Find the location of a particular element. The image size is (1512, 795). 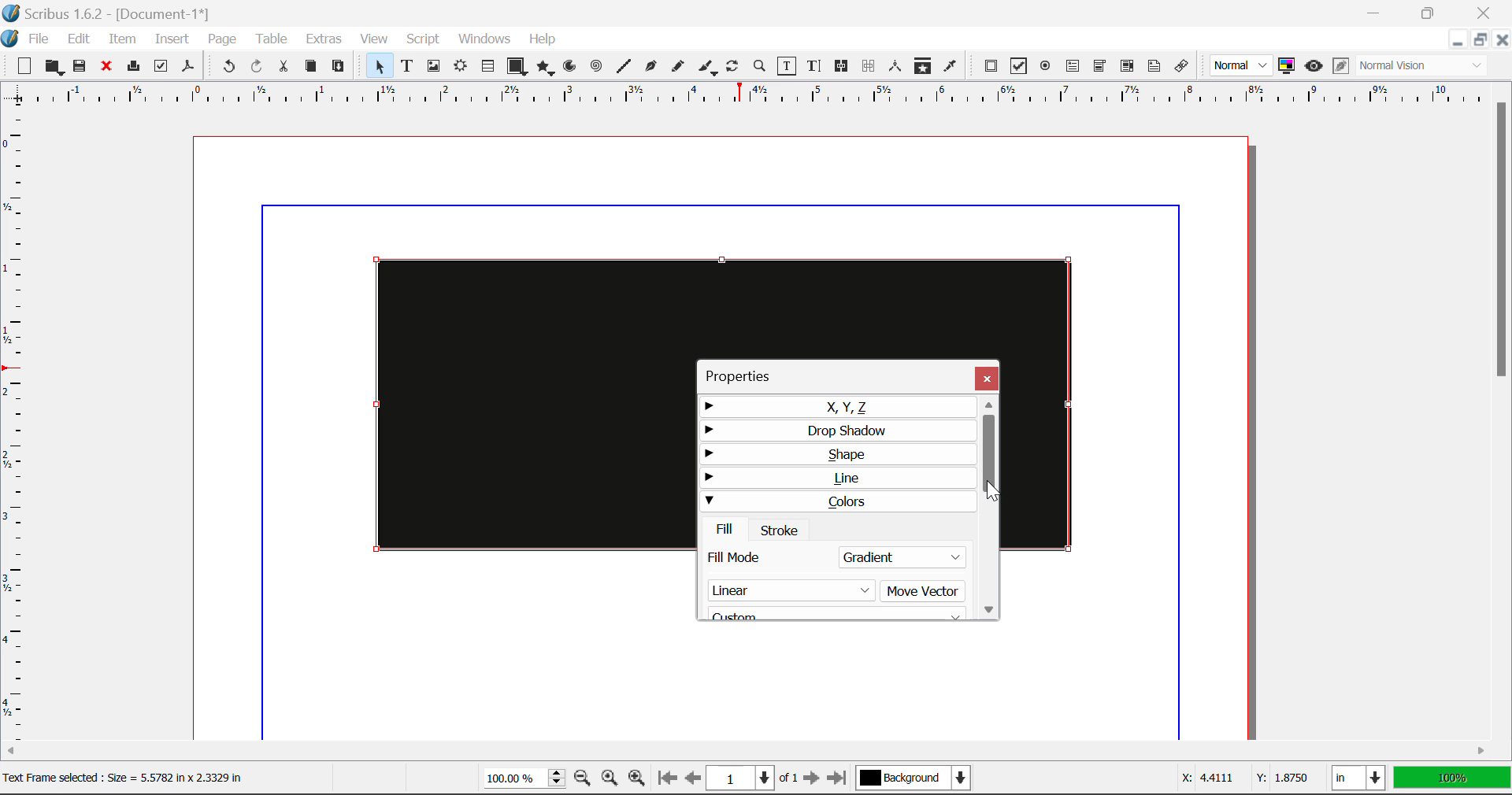

Select is located at coordinates (378, 66).